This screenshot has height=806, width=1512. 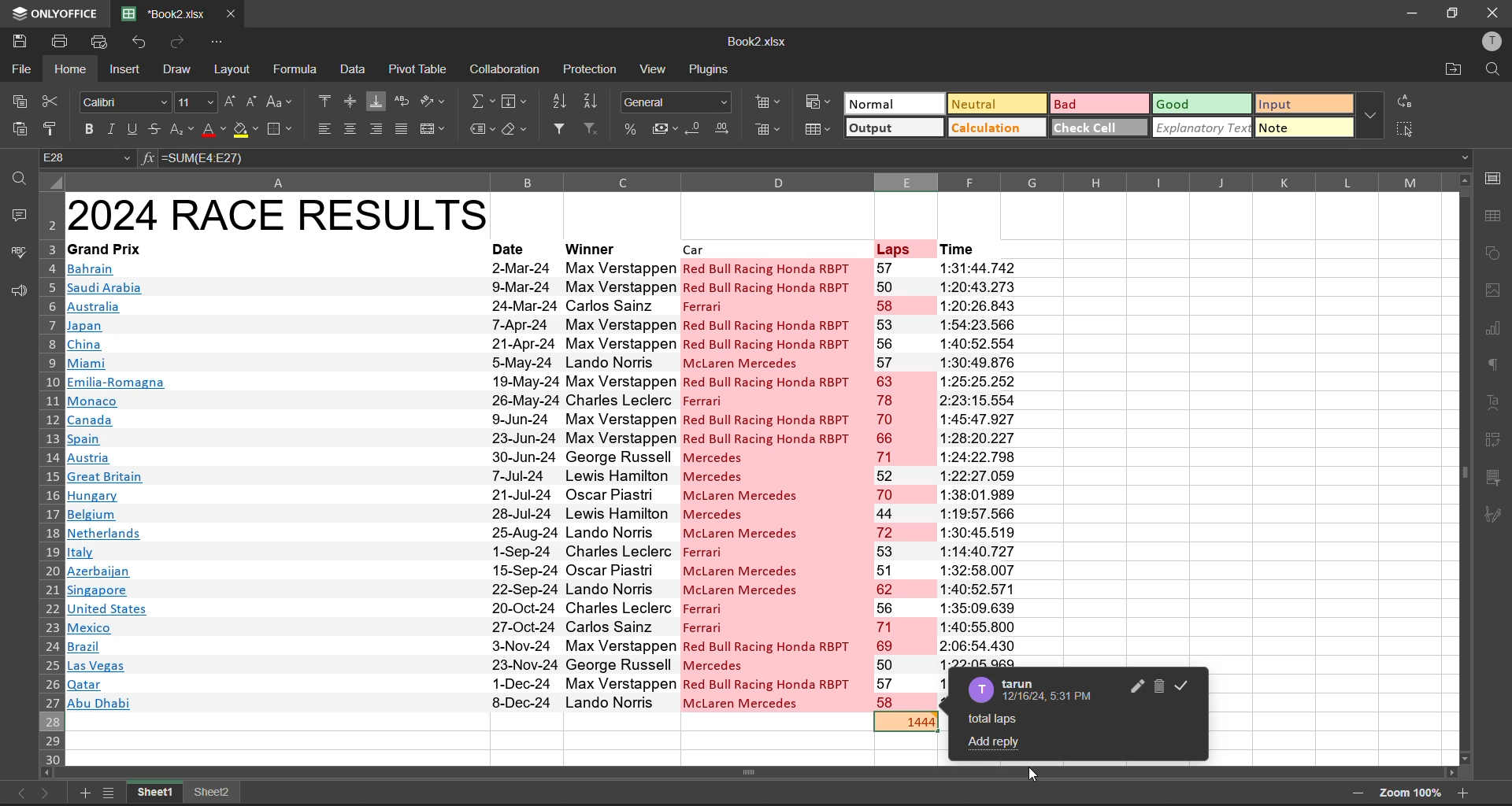 What do you see at coordinates (349, 101) in the screenshot?
I see `align middle` at bounding box center [349, 101].